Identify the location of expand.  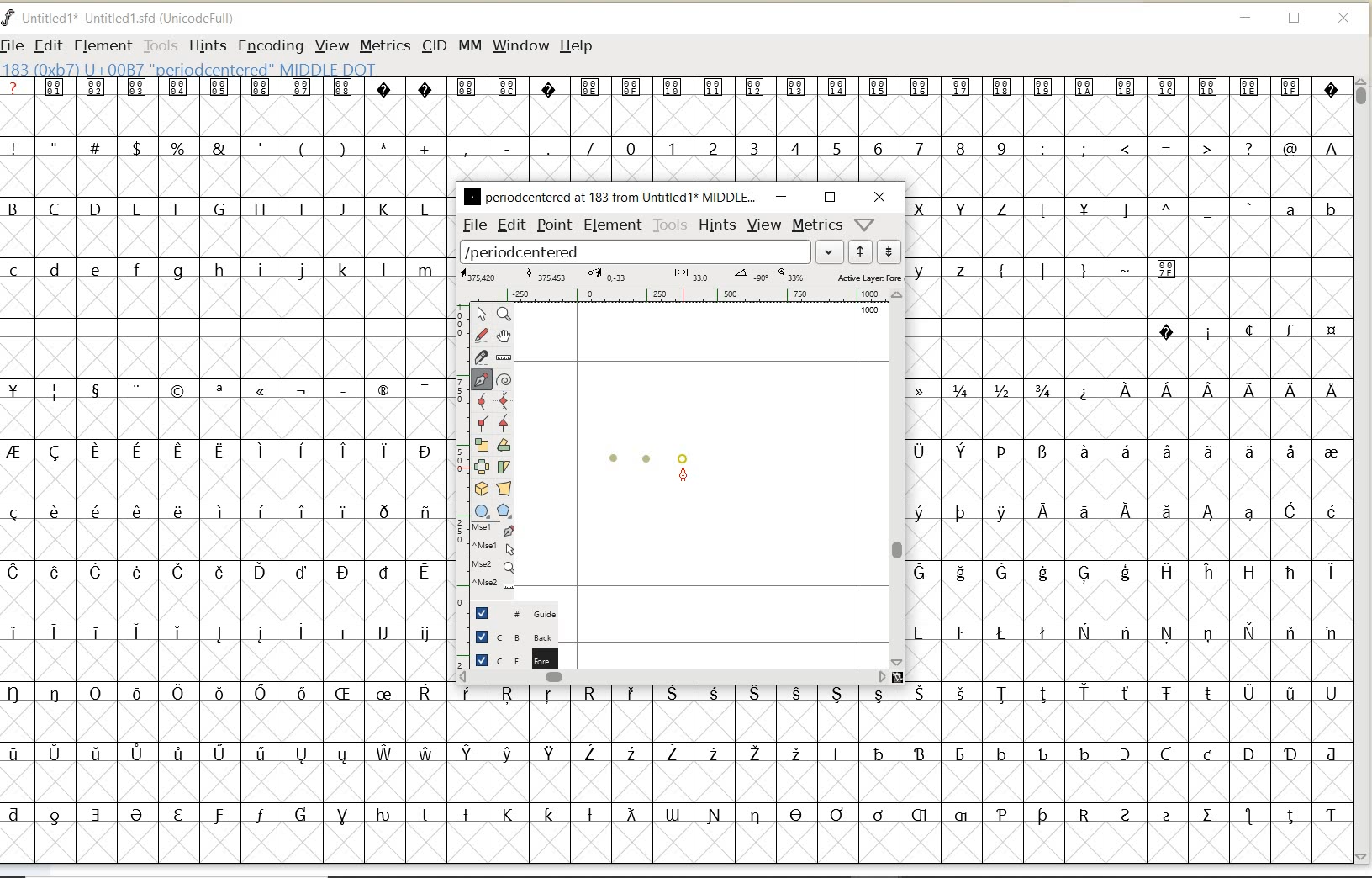
(830, 251).